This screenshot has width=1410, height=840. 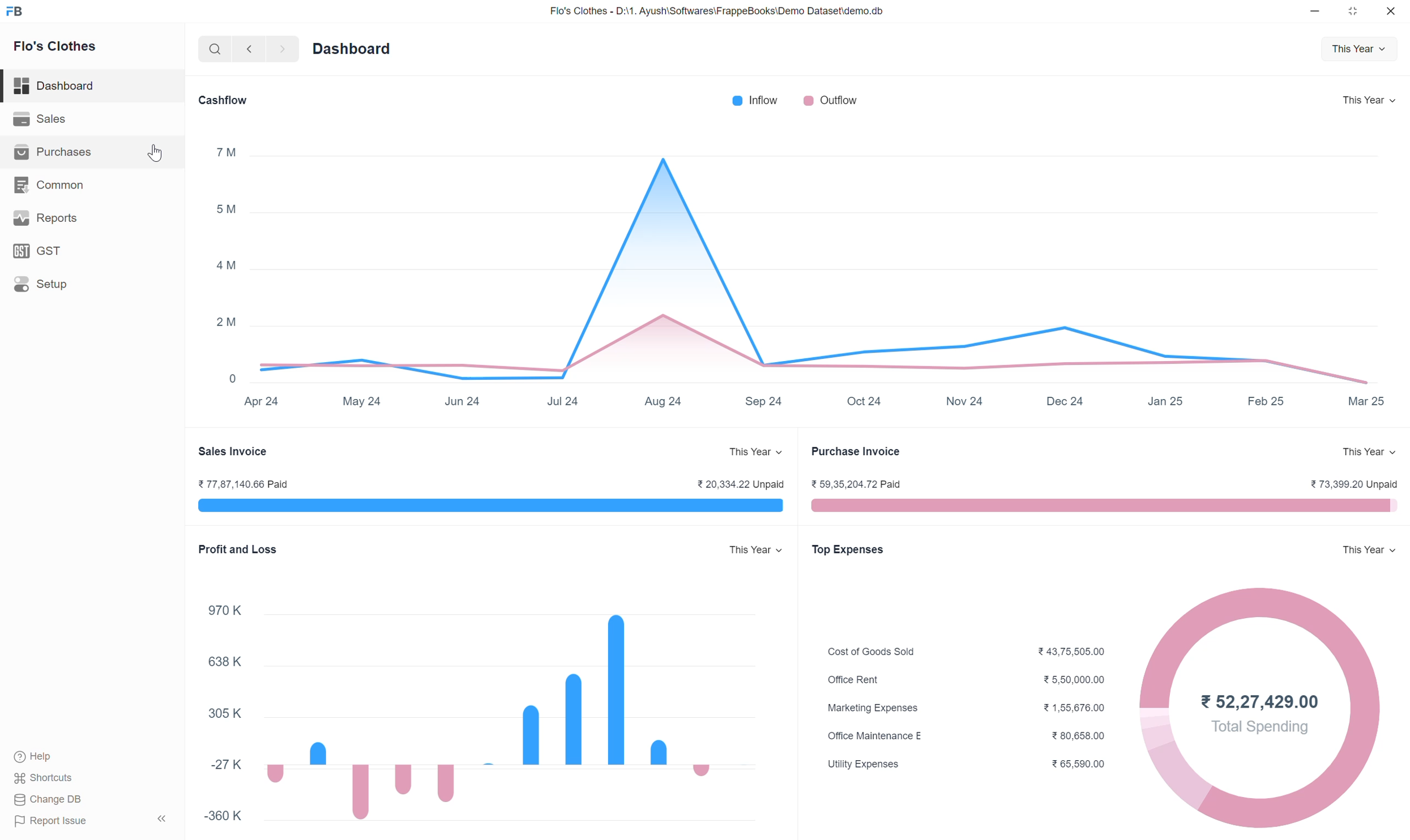 I want to click on minimize, so click(x=1315, y=14).